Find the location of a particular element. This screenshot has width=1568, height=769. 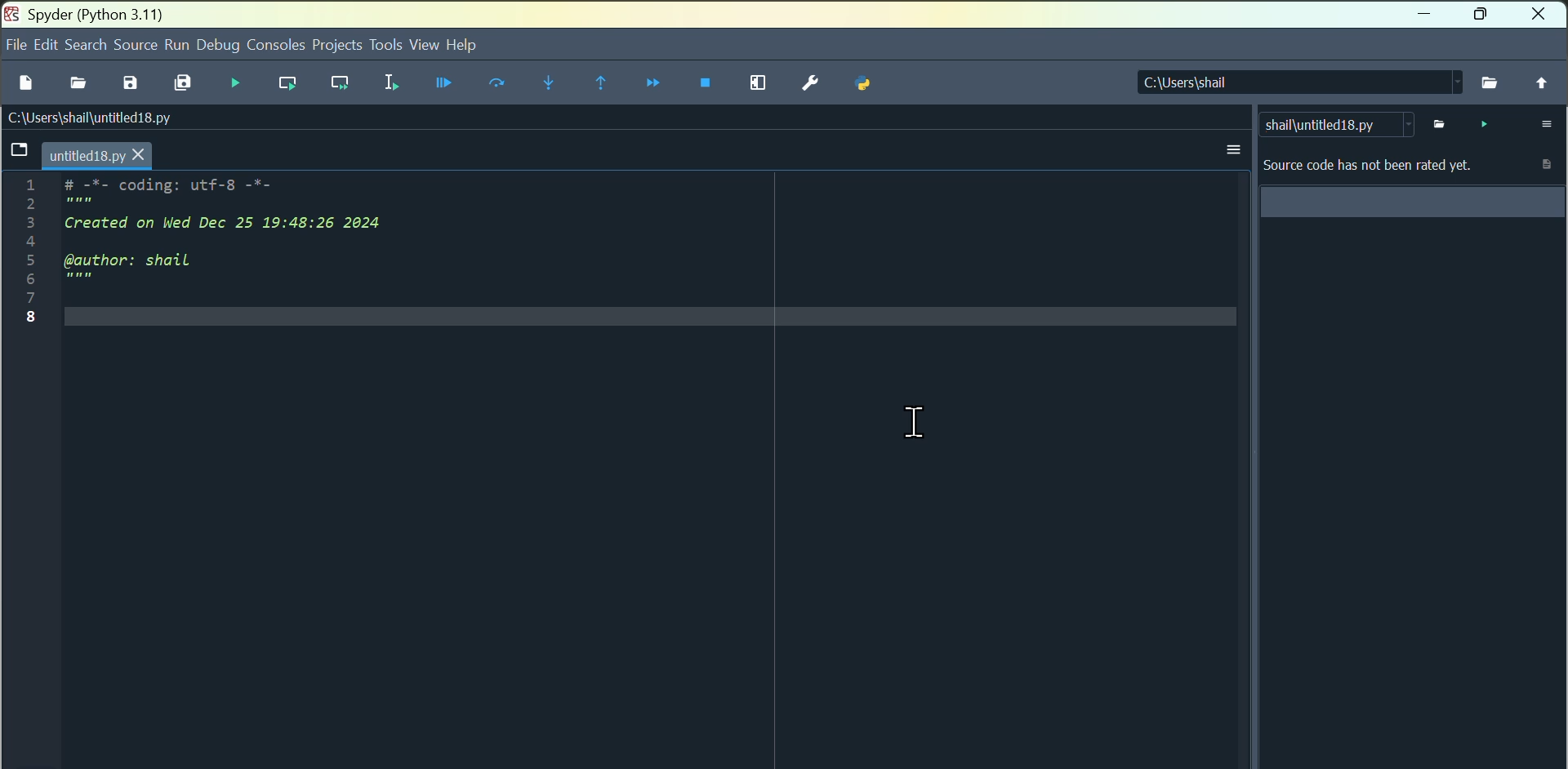

Preferences is located at coordinates (810, 84).